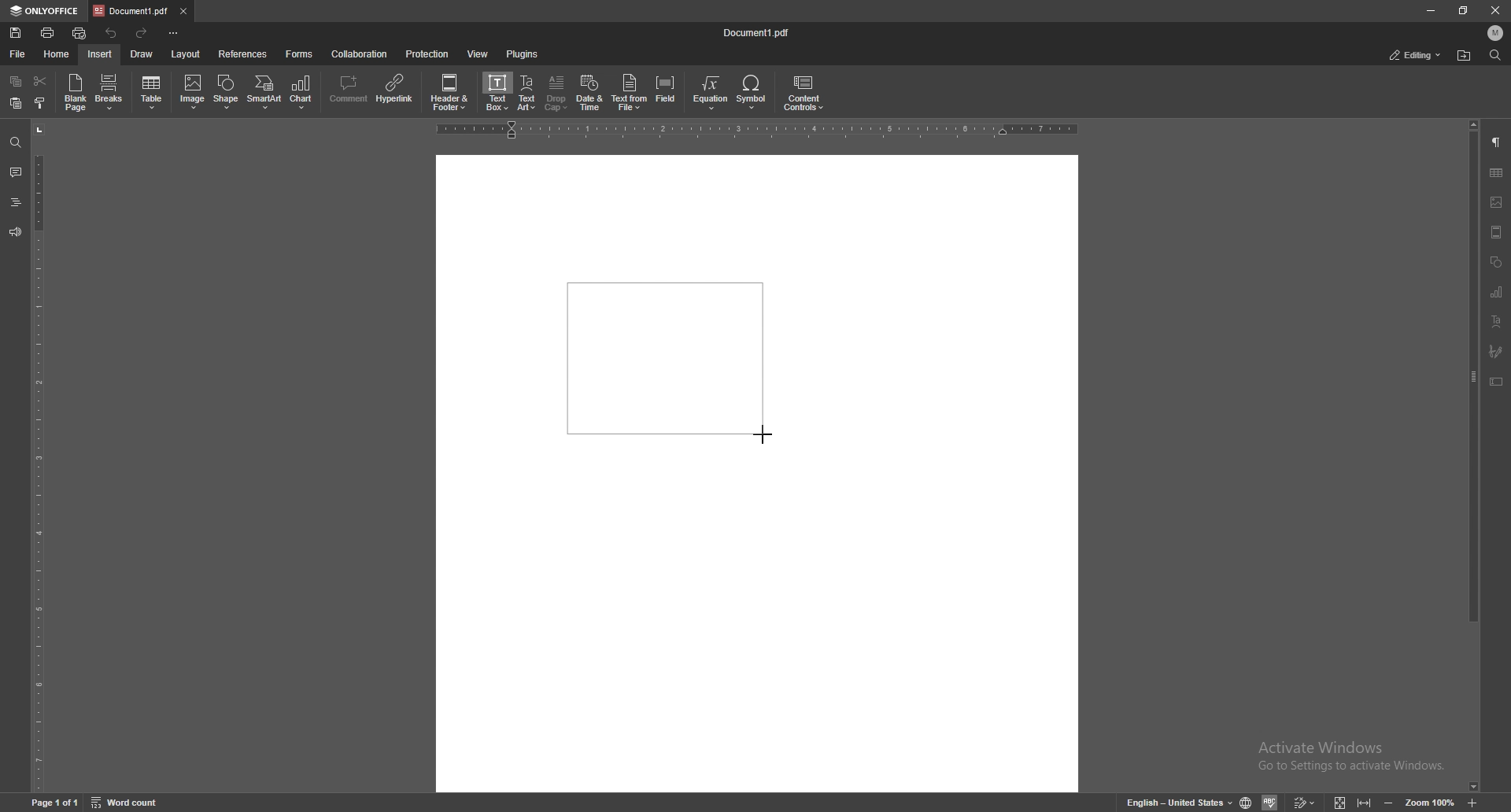 The width and height of the screenshot is (1511, 812). Describe the element at coordinates (1497, 382) in the screenshot. I see `text box` at that location.